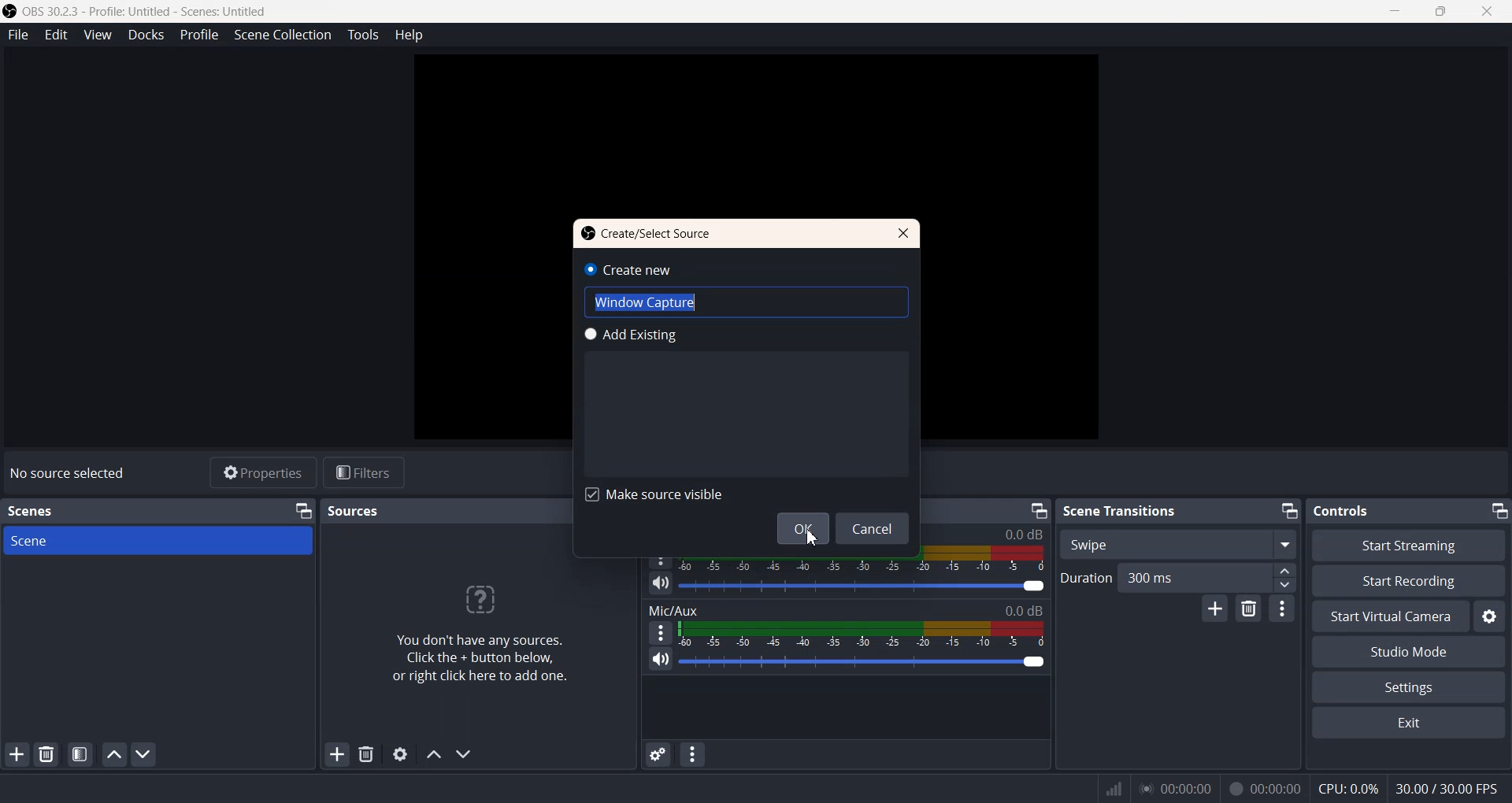  I want to click on Move Scene Down, so click(143, 753).